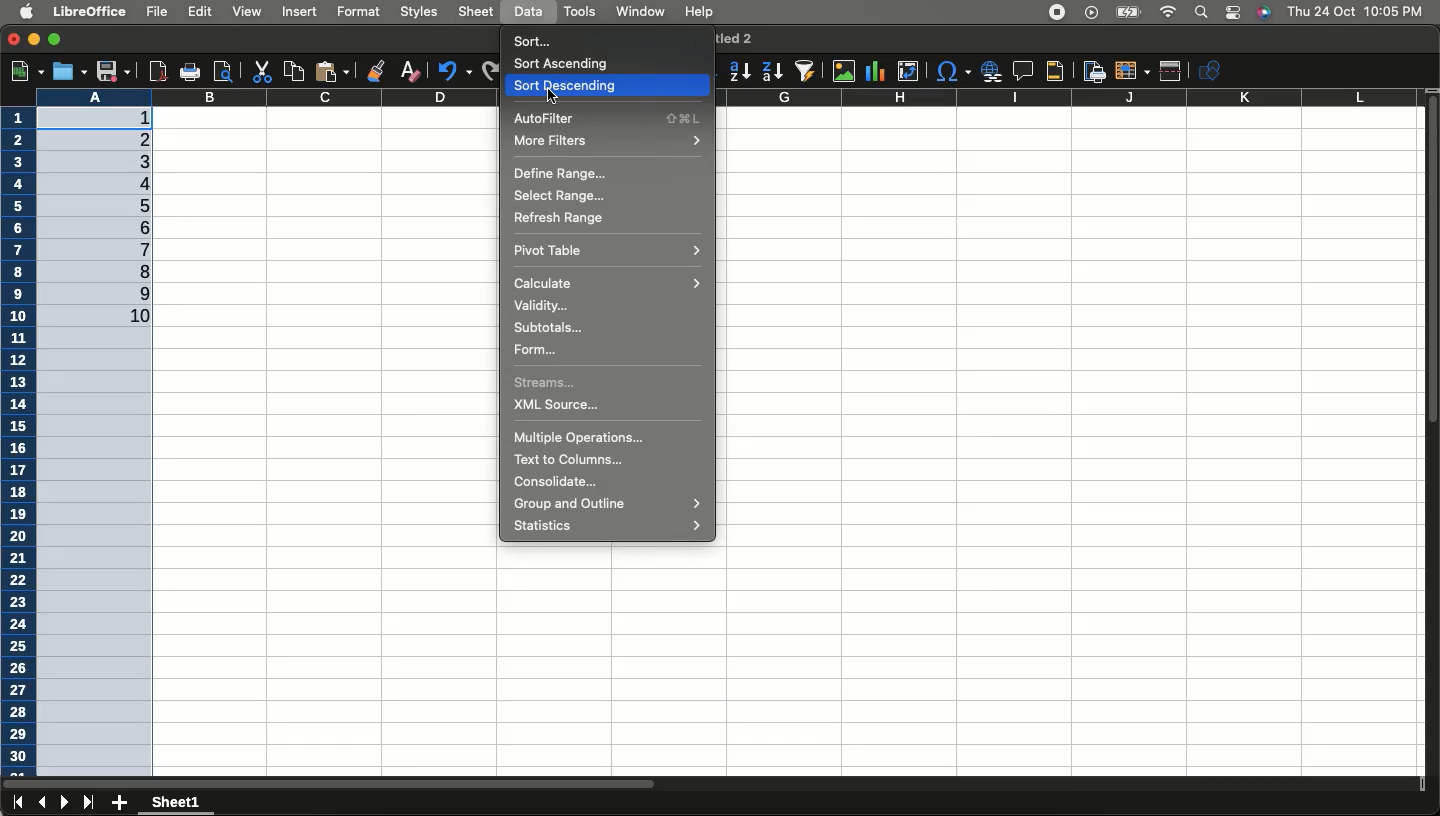  I want to click on Next sheet, so click(66, 804).